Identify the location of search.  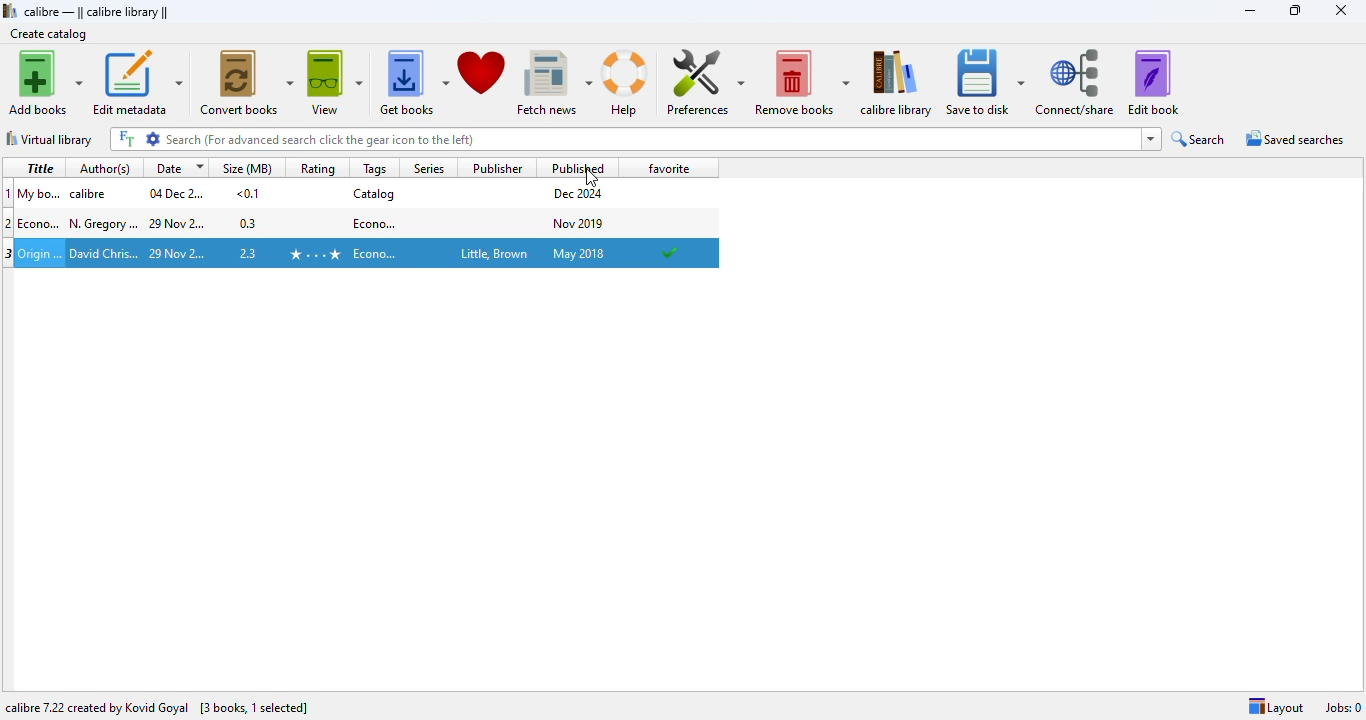
(1199, 139).